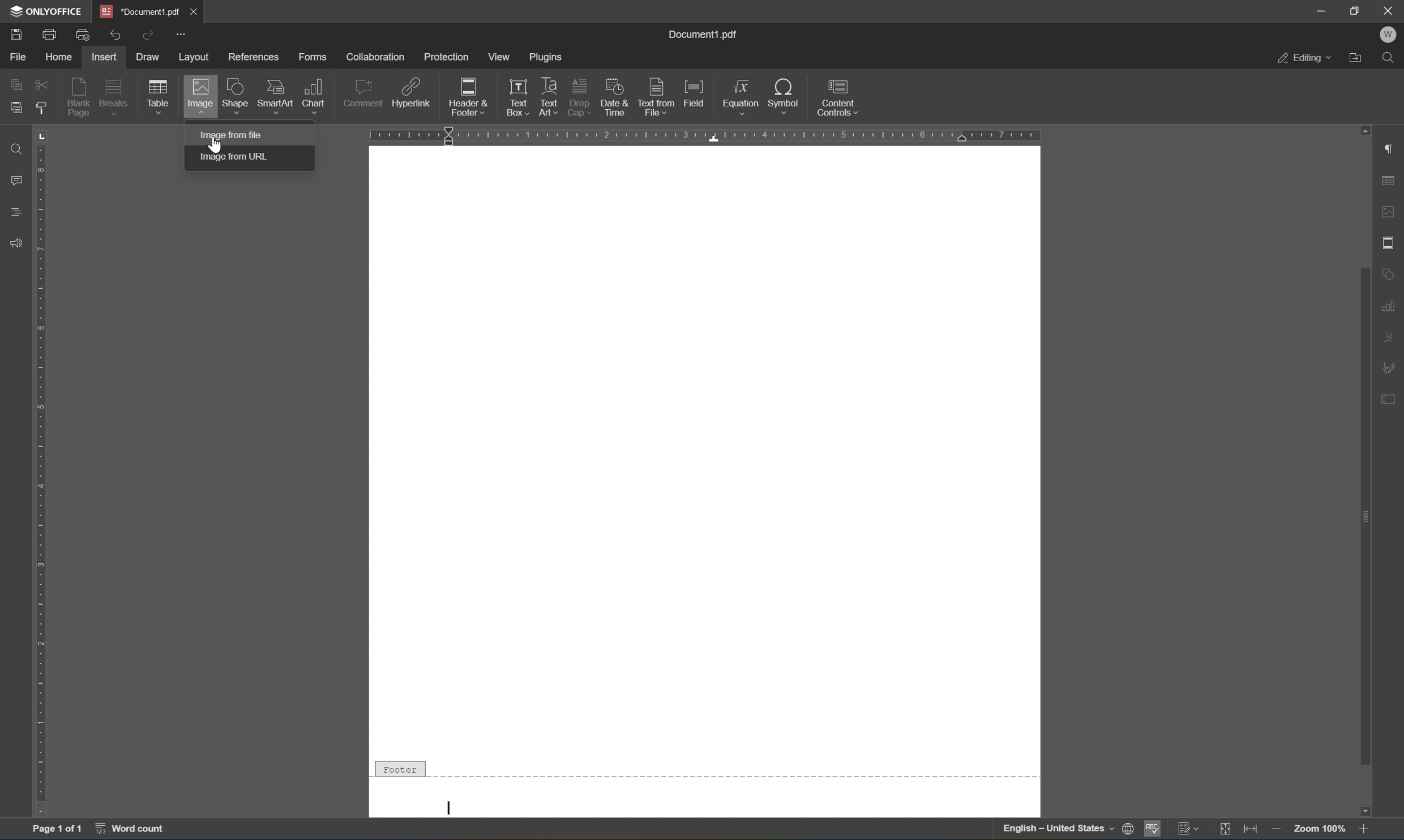  What do you see at coordinates (1391, 337) in the screenshot?
I see `text art settings` at bounding box center [1391, 337].